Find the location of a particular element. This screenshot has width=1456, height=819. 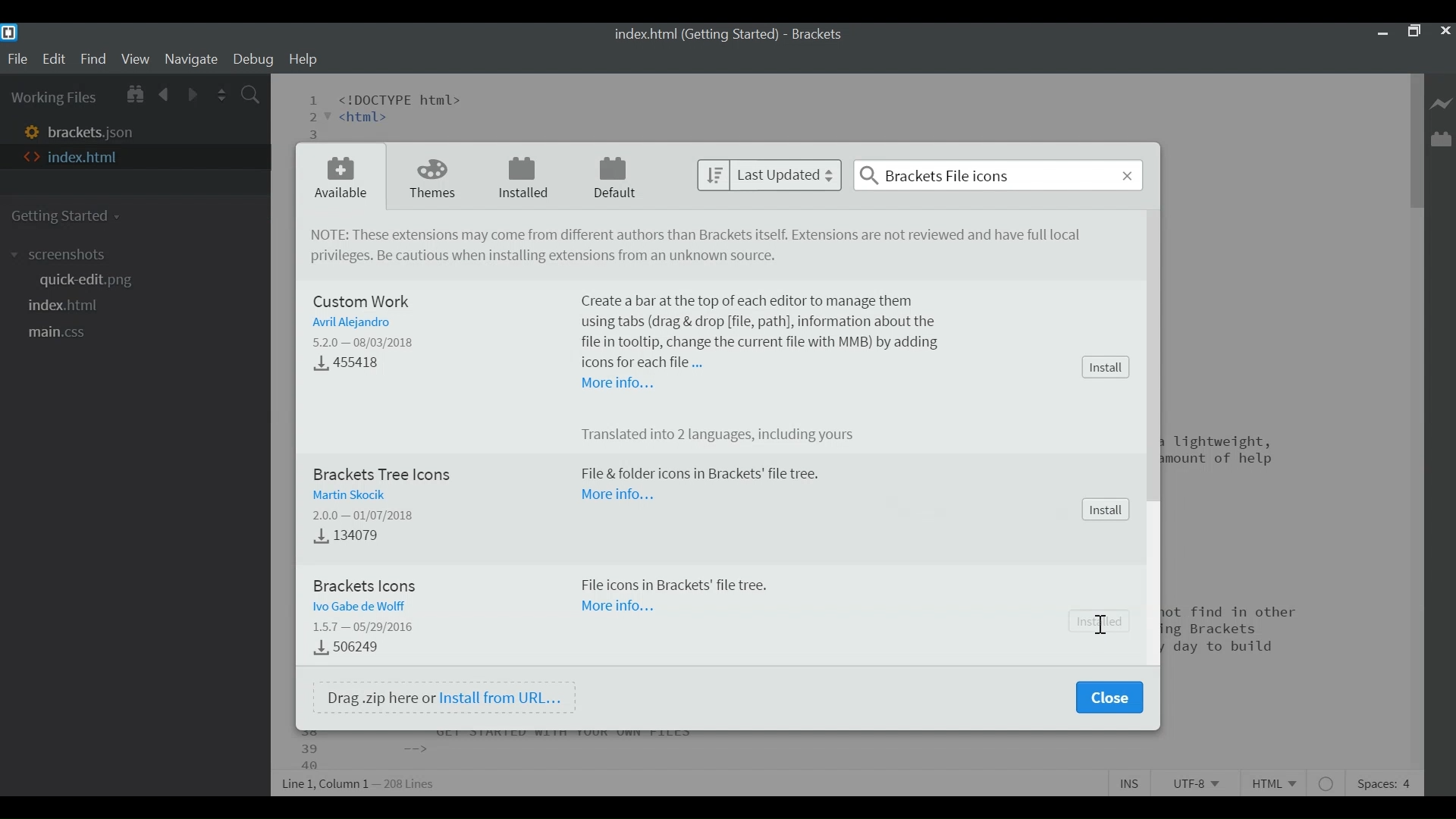

Version - Release Dtae is located at coordinates (365, 513).